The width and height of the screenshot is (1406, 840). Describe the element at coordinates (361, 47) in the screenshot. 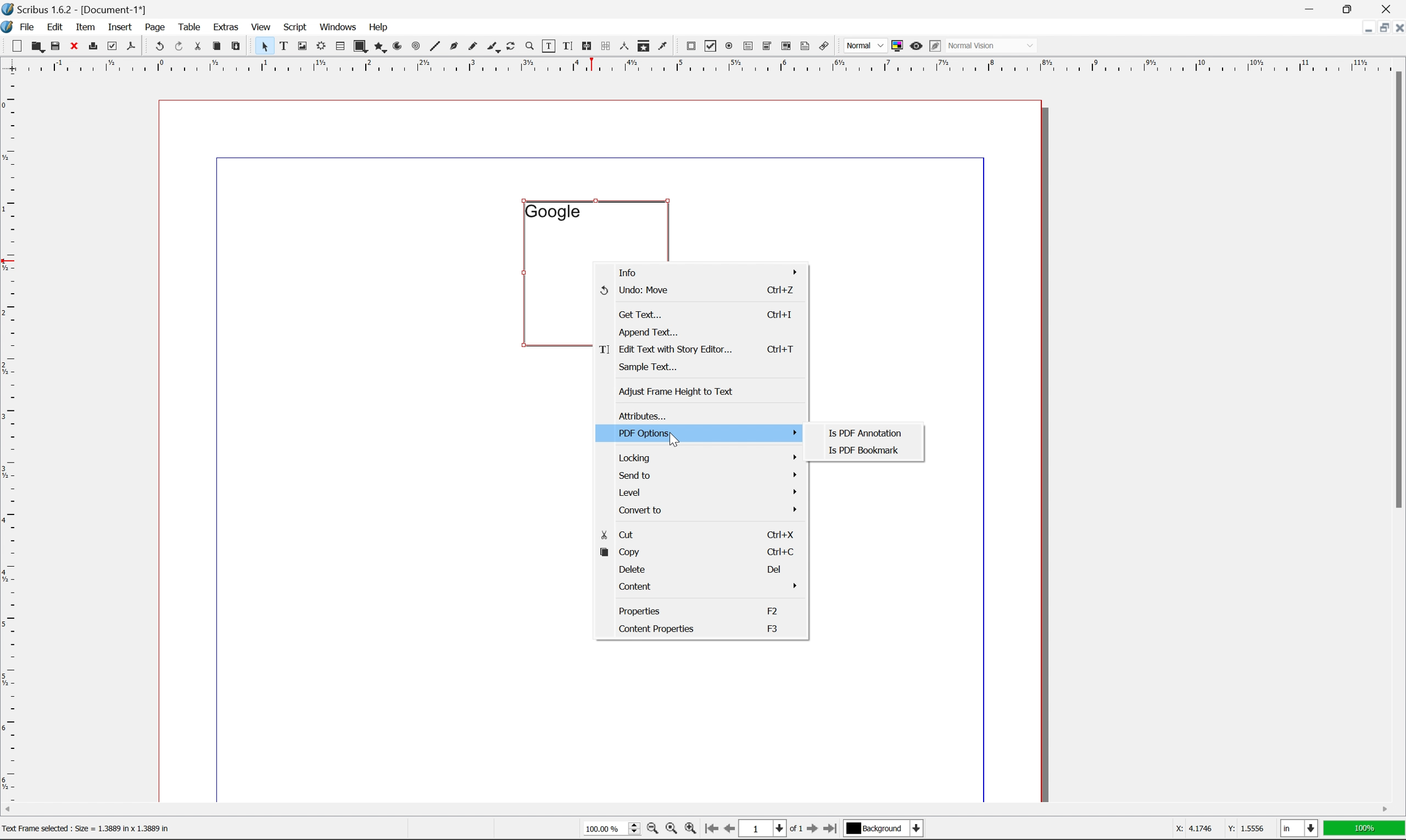

I see `shape` at that location.